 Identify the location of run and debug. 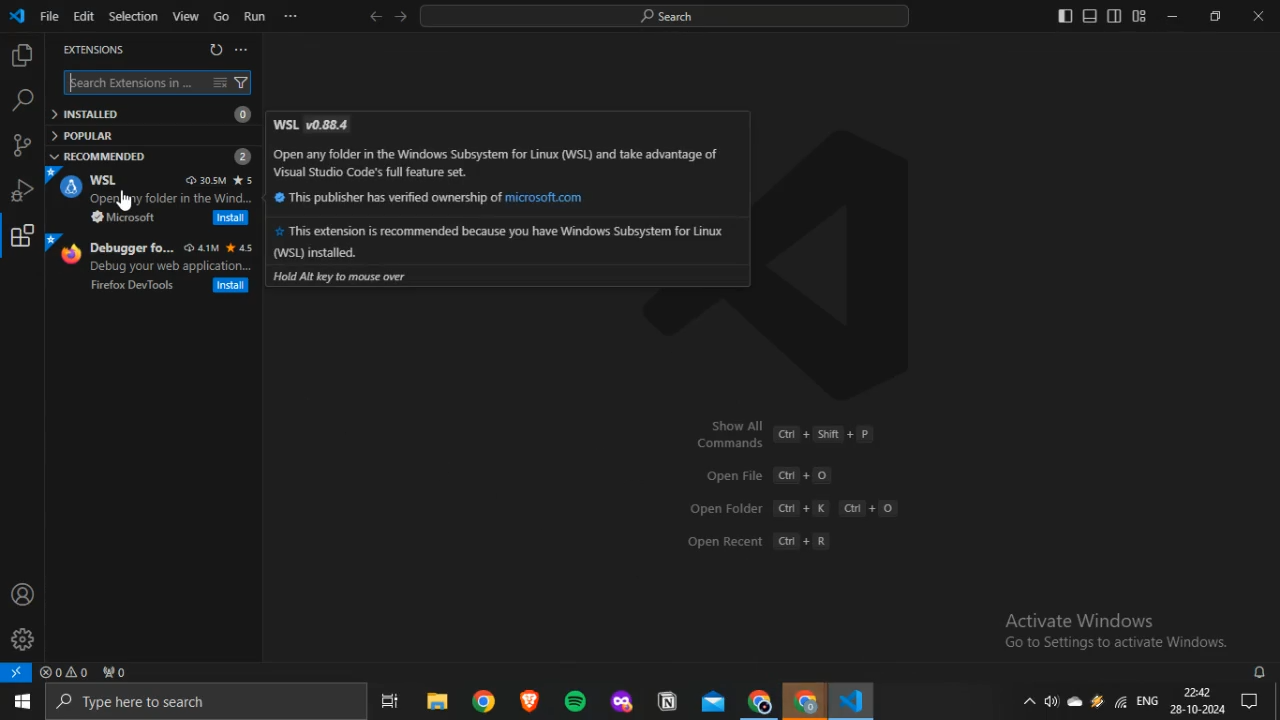
(22, 191).